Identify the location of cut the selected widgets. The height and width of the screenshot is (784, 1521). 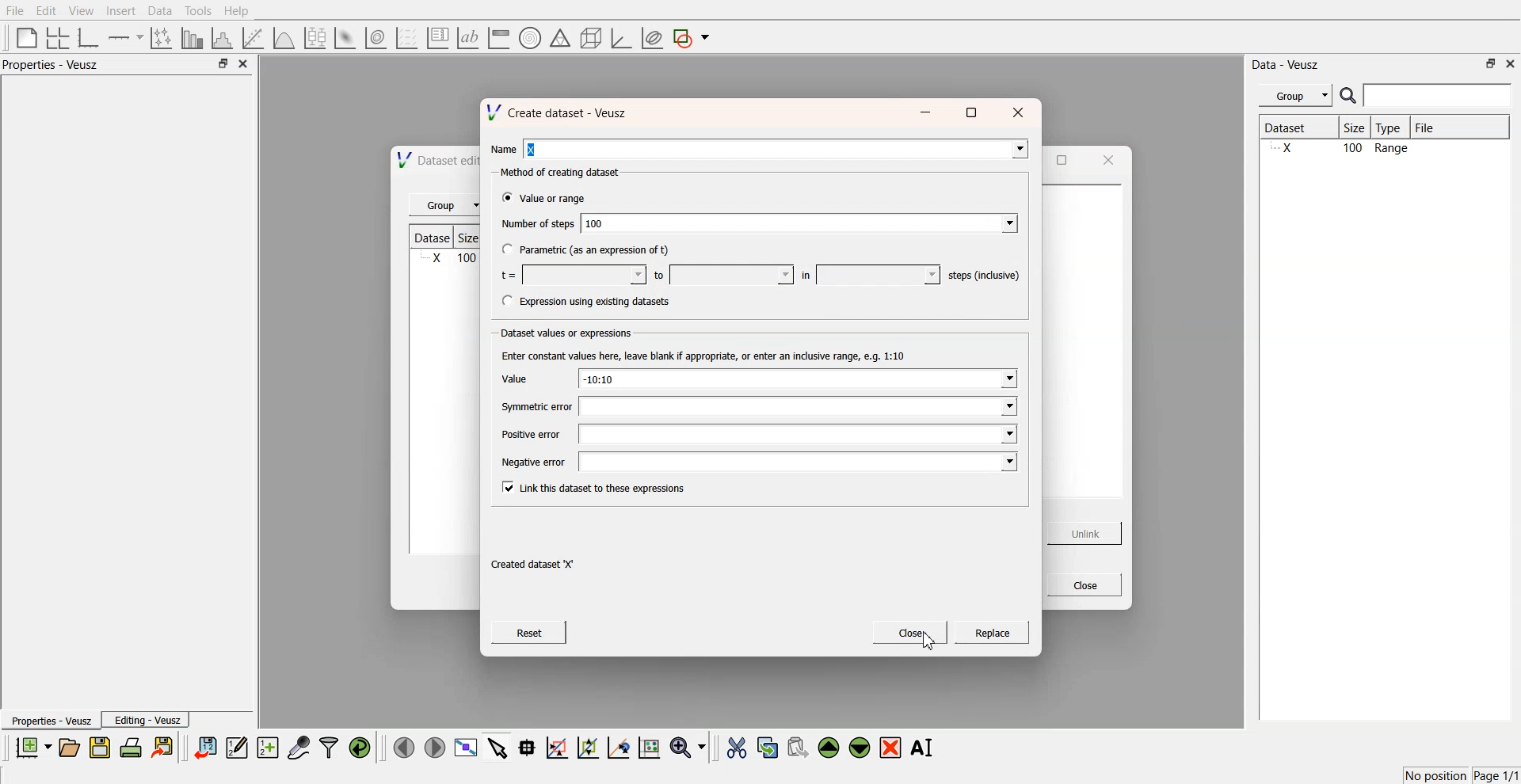
(735, 748).